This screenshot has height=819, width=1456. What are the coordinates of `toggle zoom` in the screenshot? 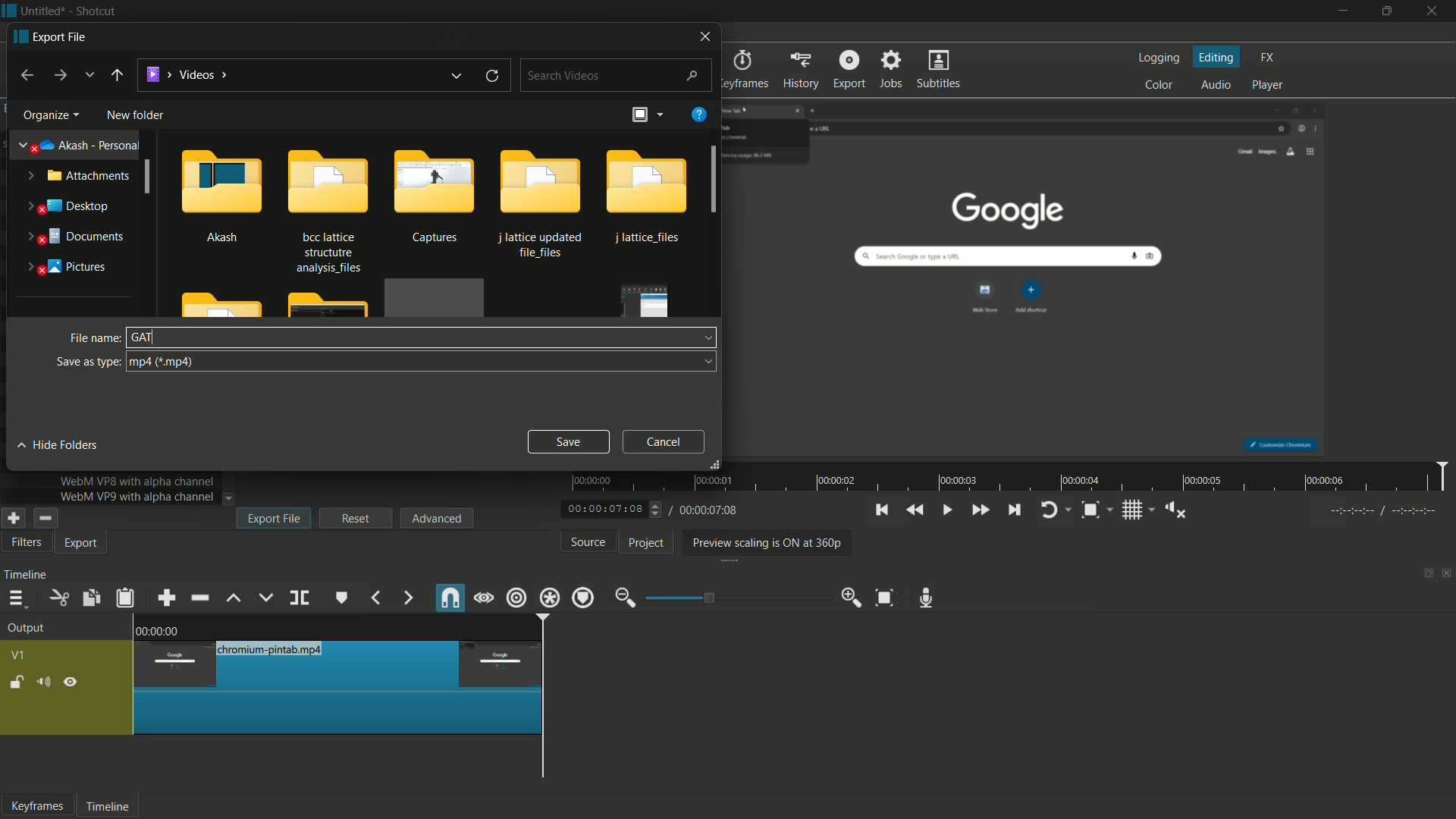 It's located at (1090, 511).